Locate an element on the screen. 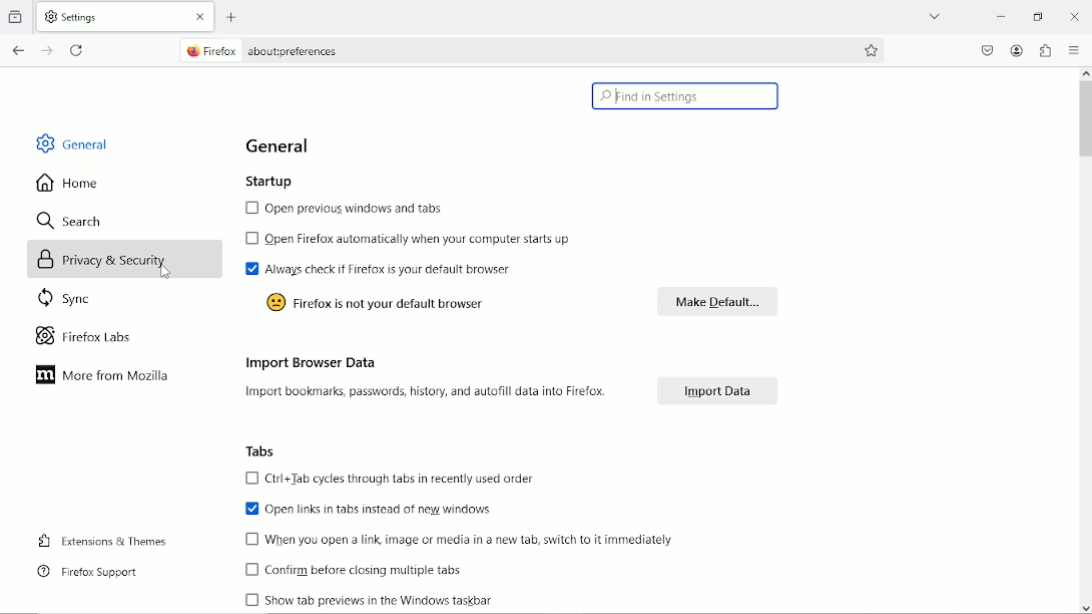 This screenshot has width=1092, height=614. text is located at coordinates (355, 208).